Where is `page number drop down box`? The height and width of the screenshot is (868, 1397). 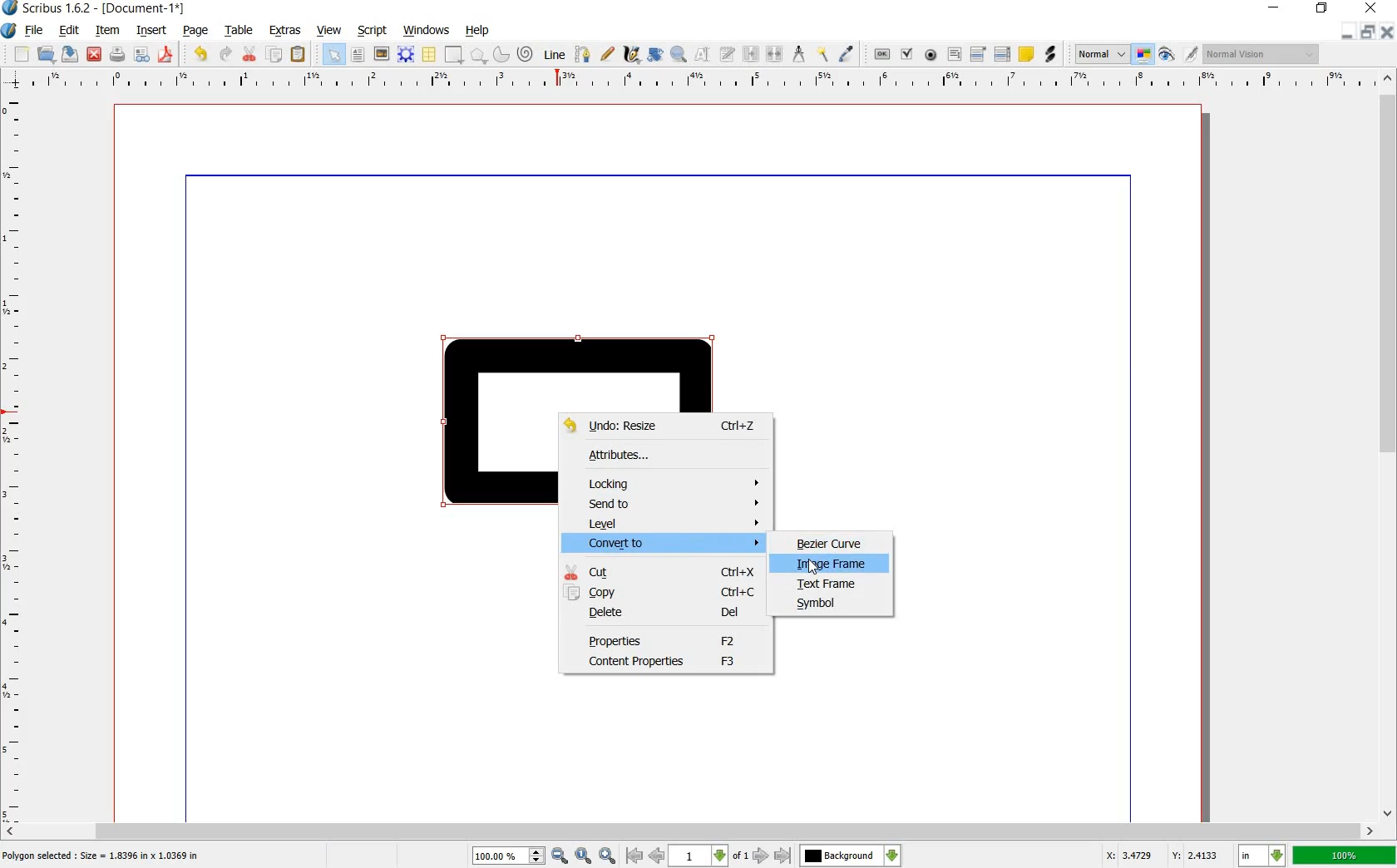 page number drop down box is located at coordinates (708, 854).